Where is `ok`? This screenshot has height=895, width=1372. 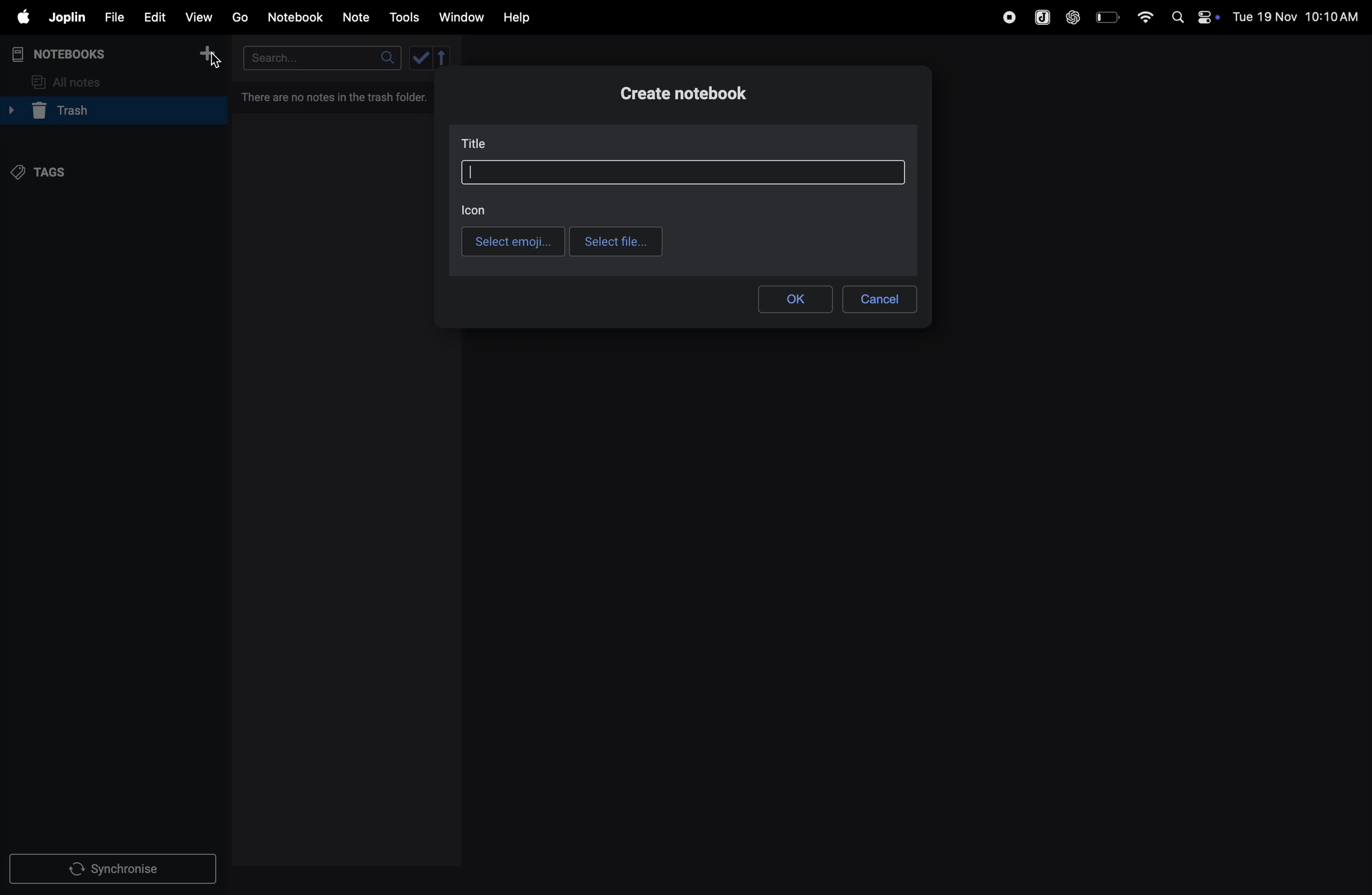
ok is located at coordinates (796, 297).